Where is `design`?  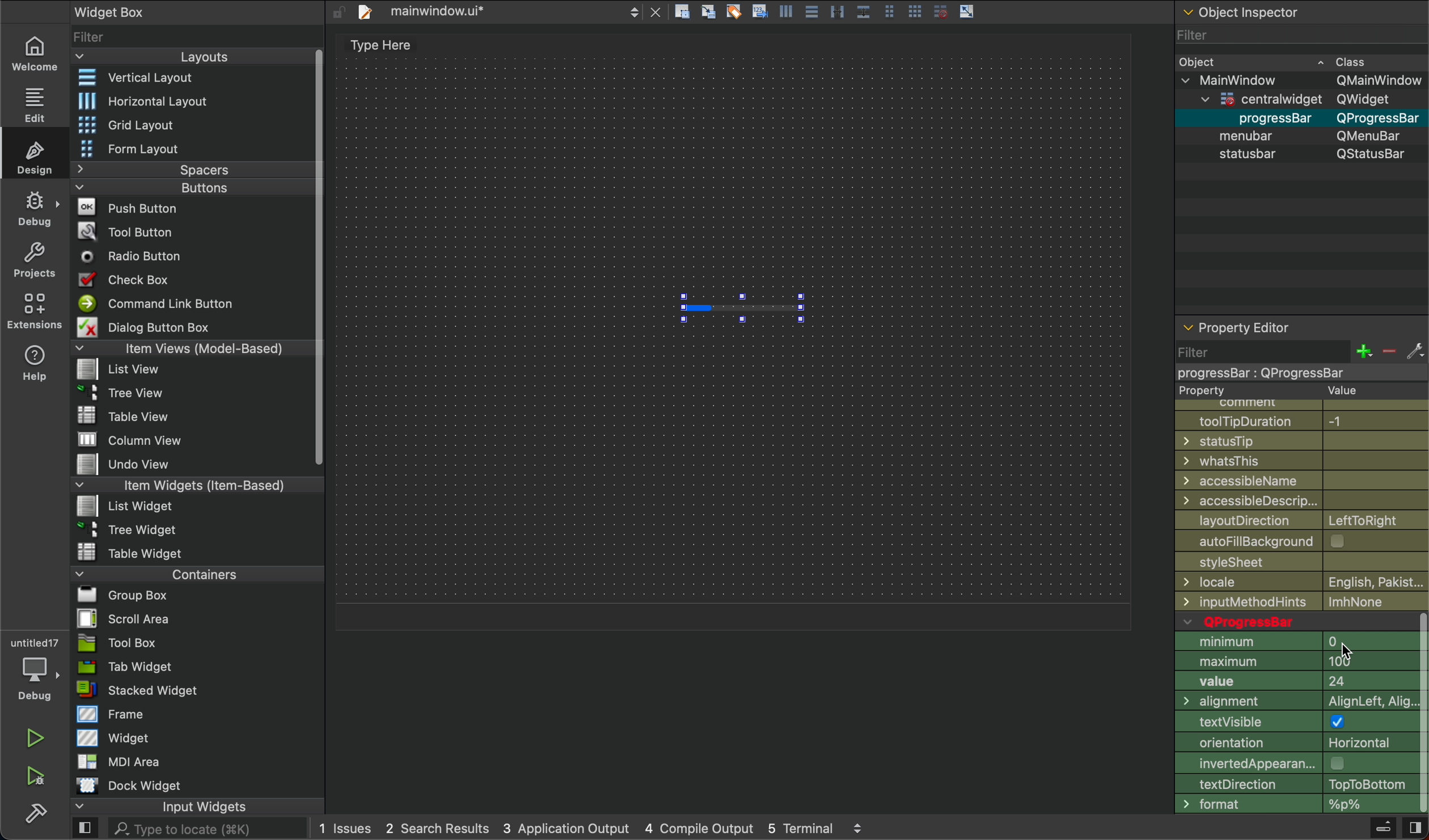 design is located at coordinates (37, 156).